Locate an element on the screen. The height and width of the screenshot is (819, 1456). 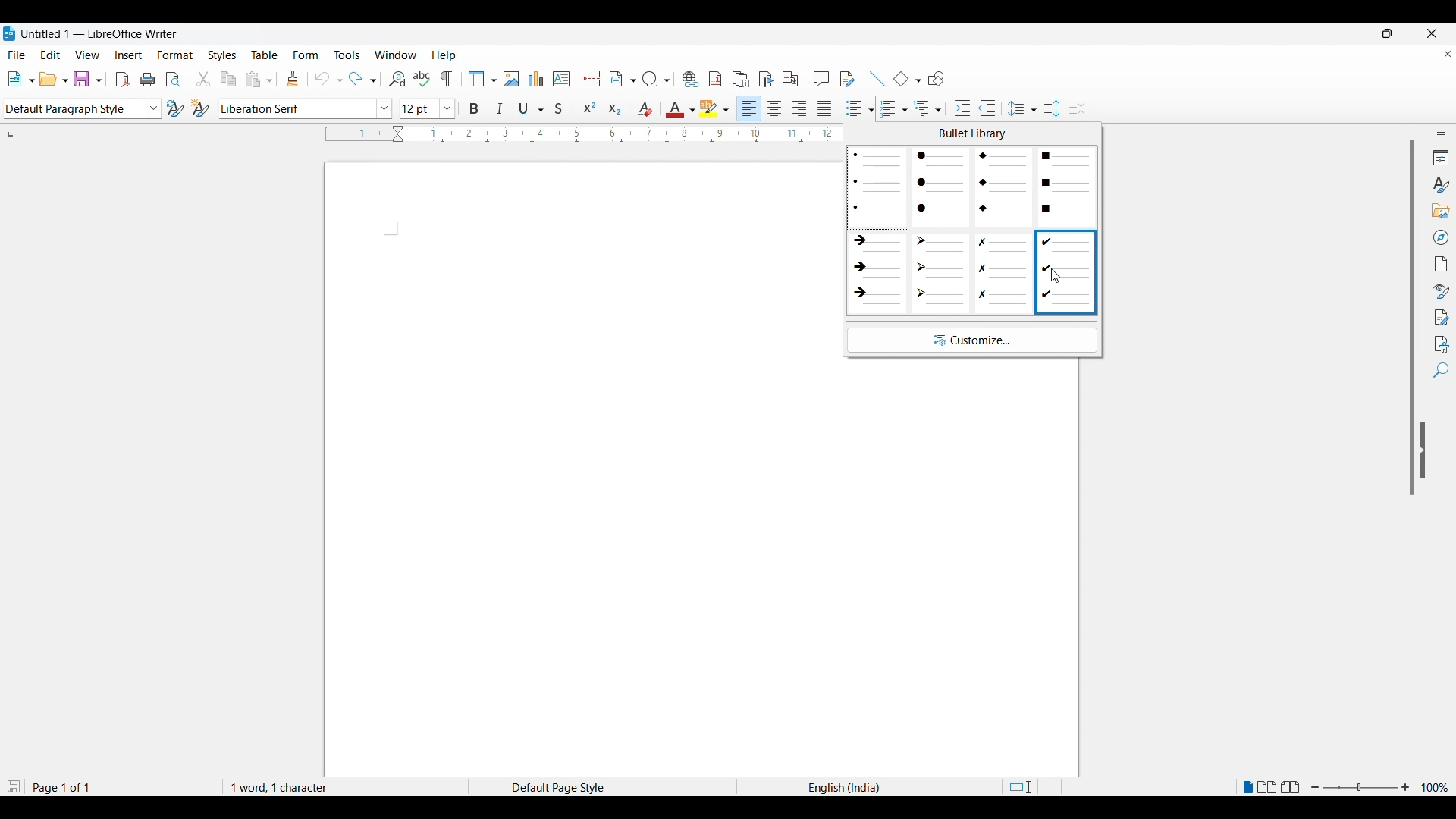
Help is located at coordinates (444, 53).